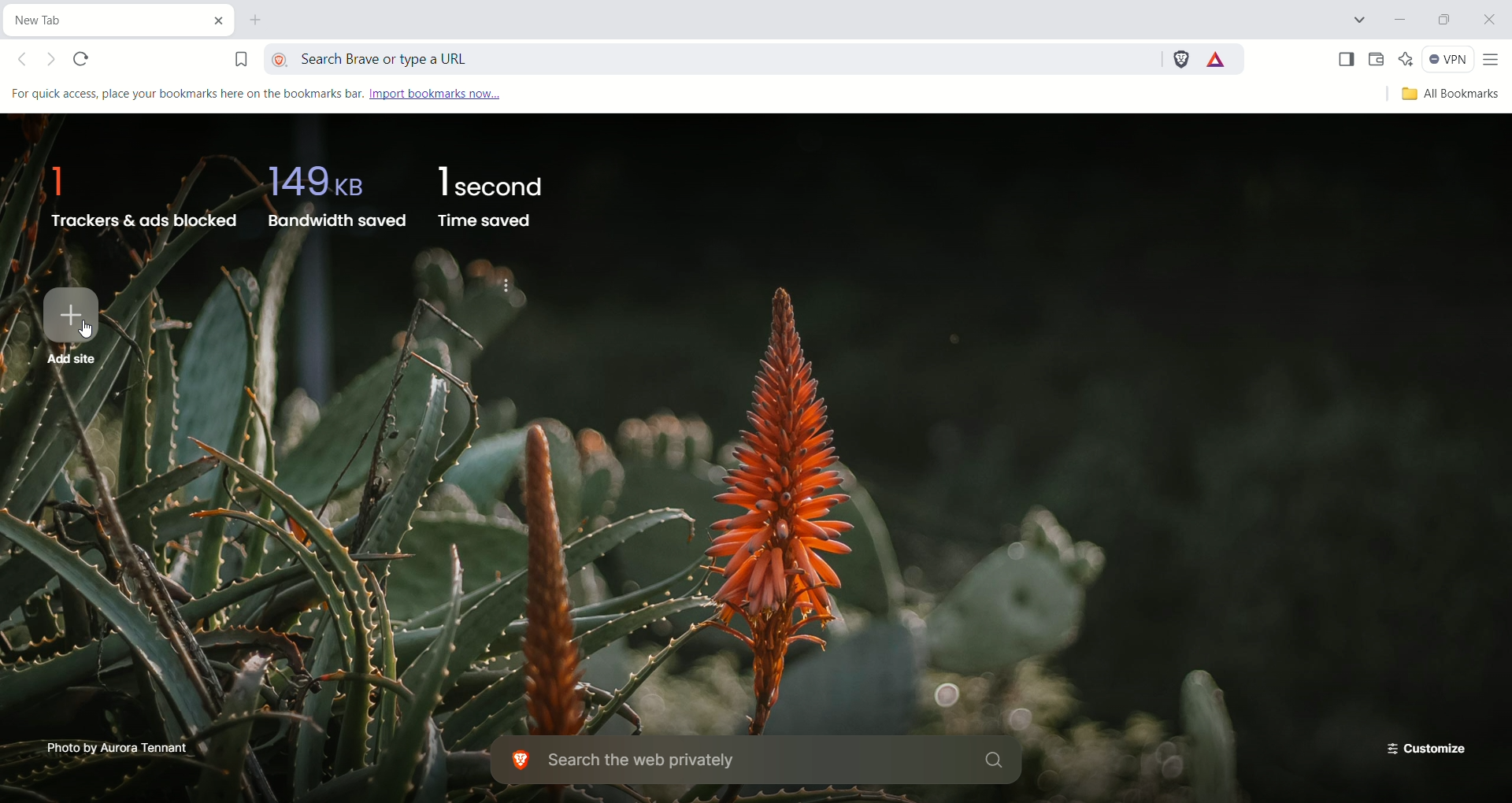  I want to click on search tabs, so click(1358, 22).